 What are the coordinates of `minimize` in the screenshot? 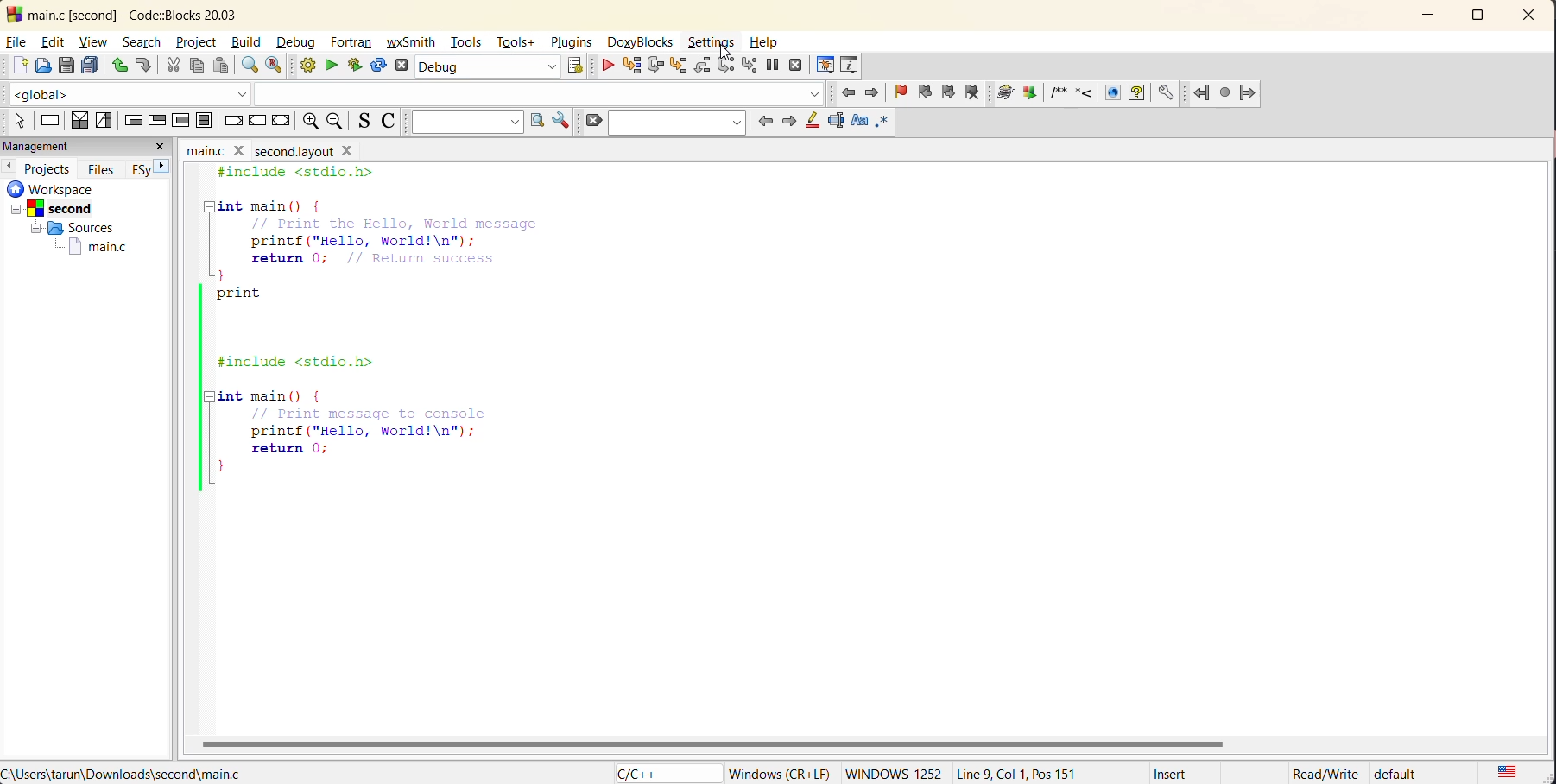 It's located at (1434, 14).